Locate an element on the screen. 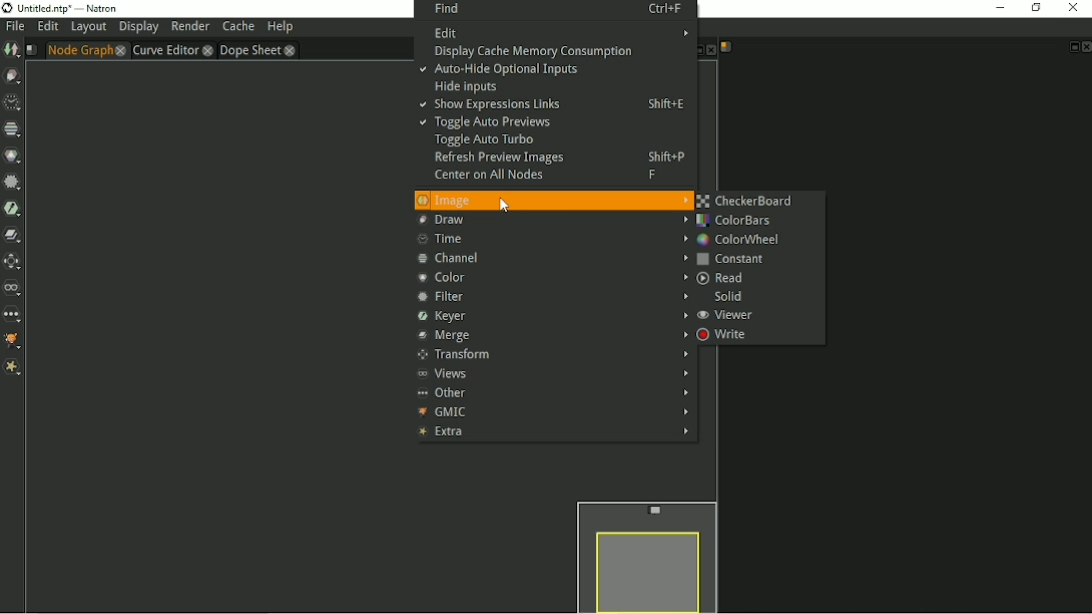 This screenshot has height=614, width=1092. Toggle auto turbo is located at coordinates (486, 141).